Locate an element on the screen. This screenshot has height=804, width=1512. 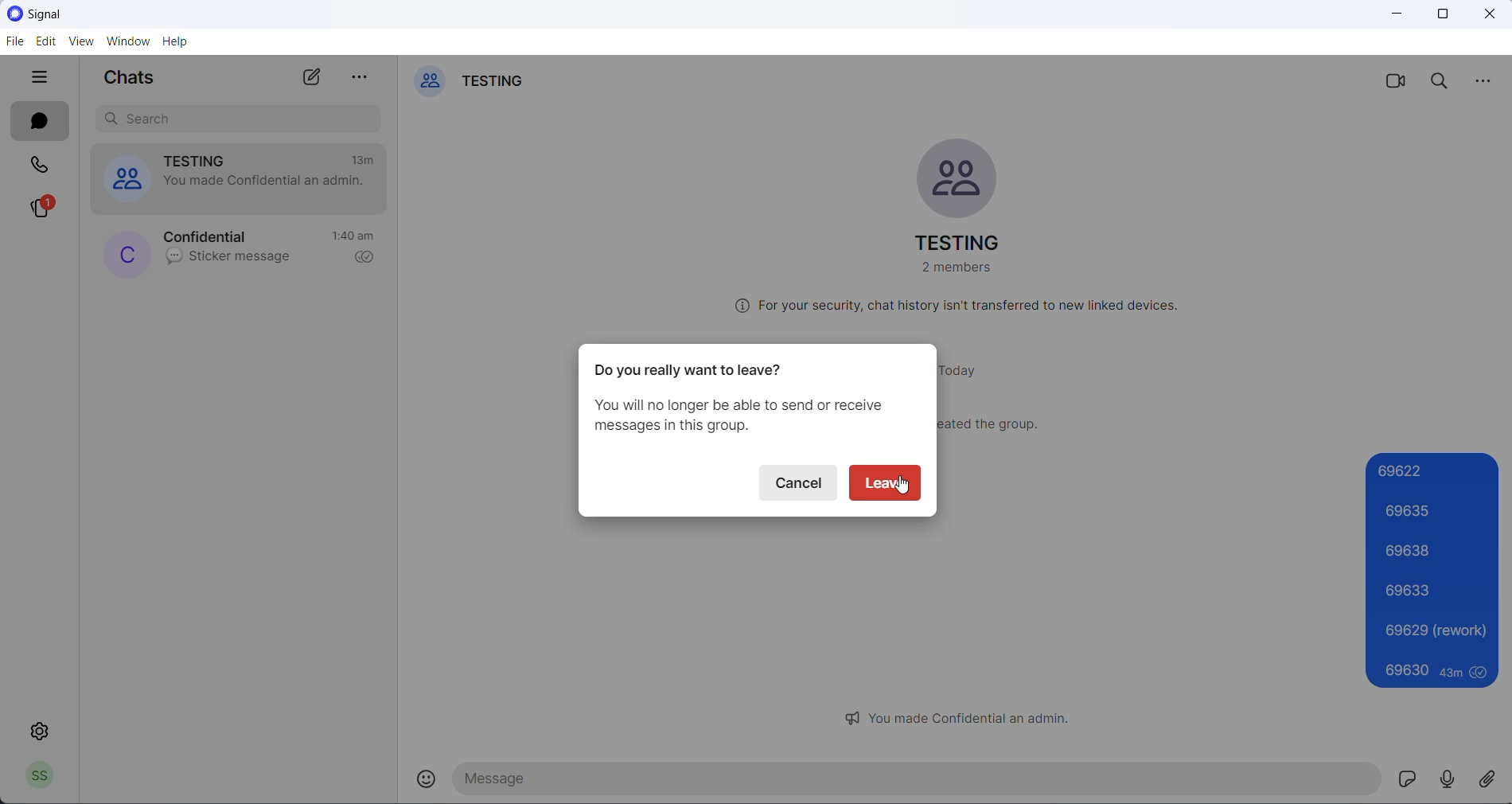
profile picture is located at coordinates (127, 254).